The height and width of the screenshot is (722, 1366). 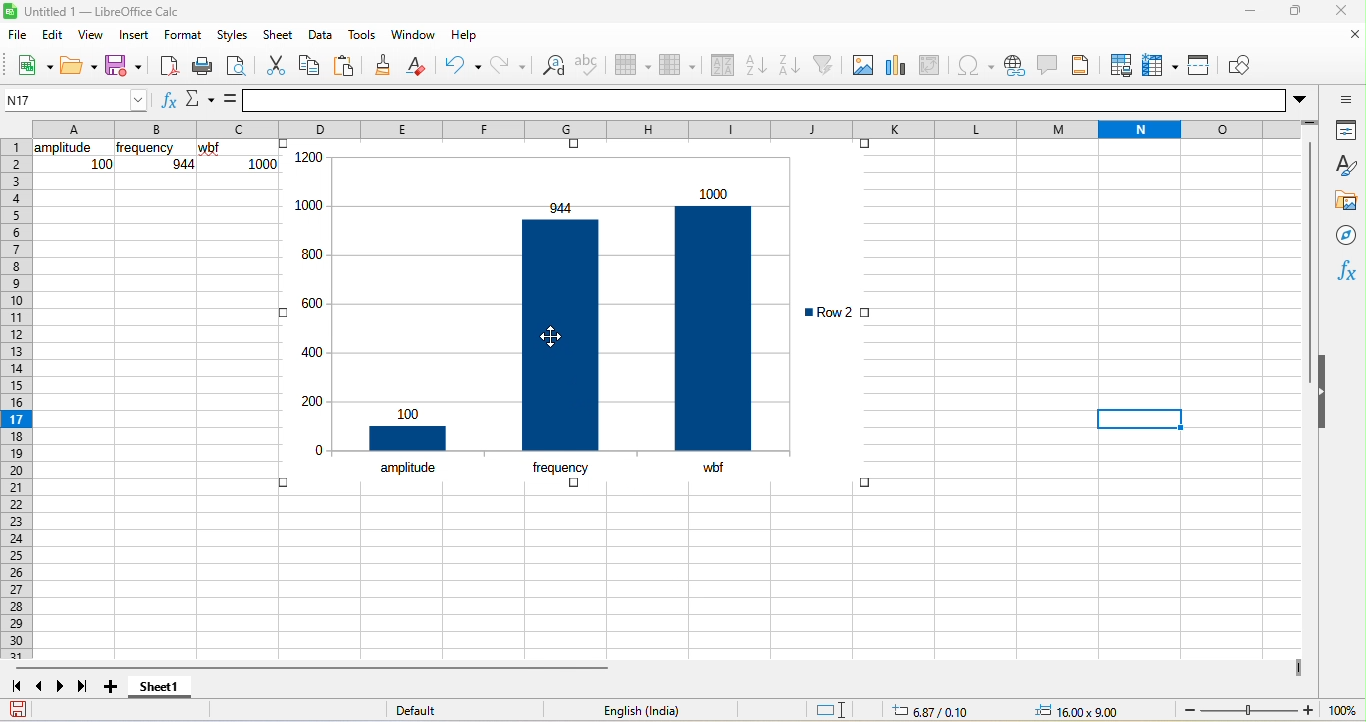 What do you see at coordinates (1346, 37) in the screenshot?
I see `close` at bounding box center [1346, 37].